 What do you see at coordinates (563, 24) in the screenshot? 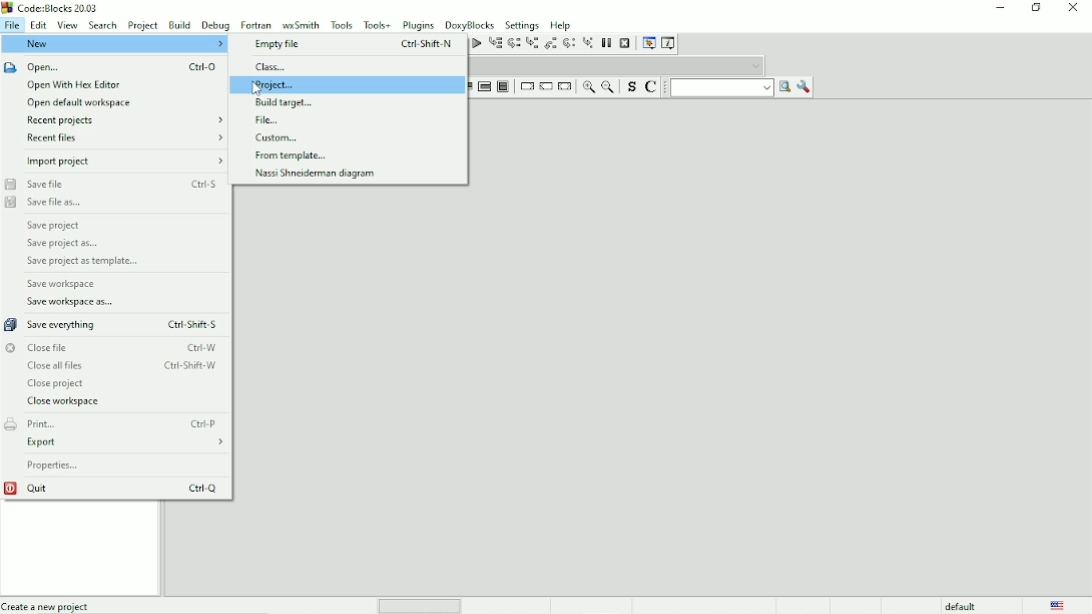
I see `Help` at bounding box center [563, 24].